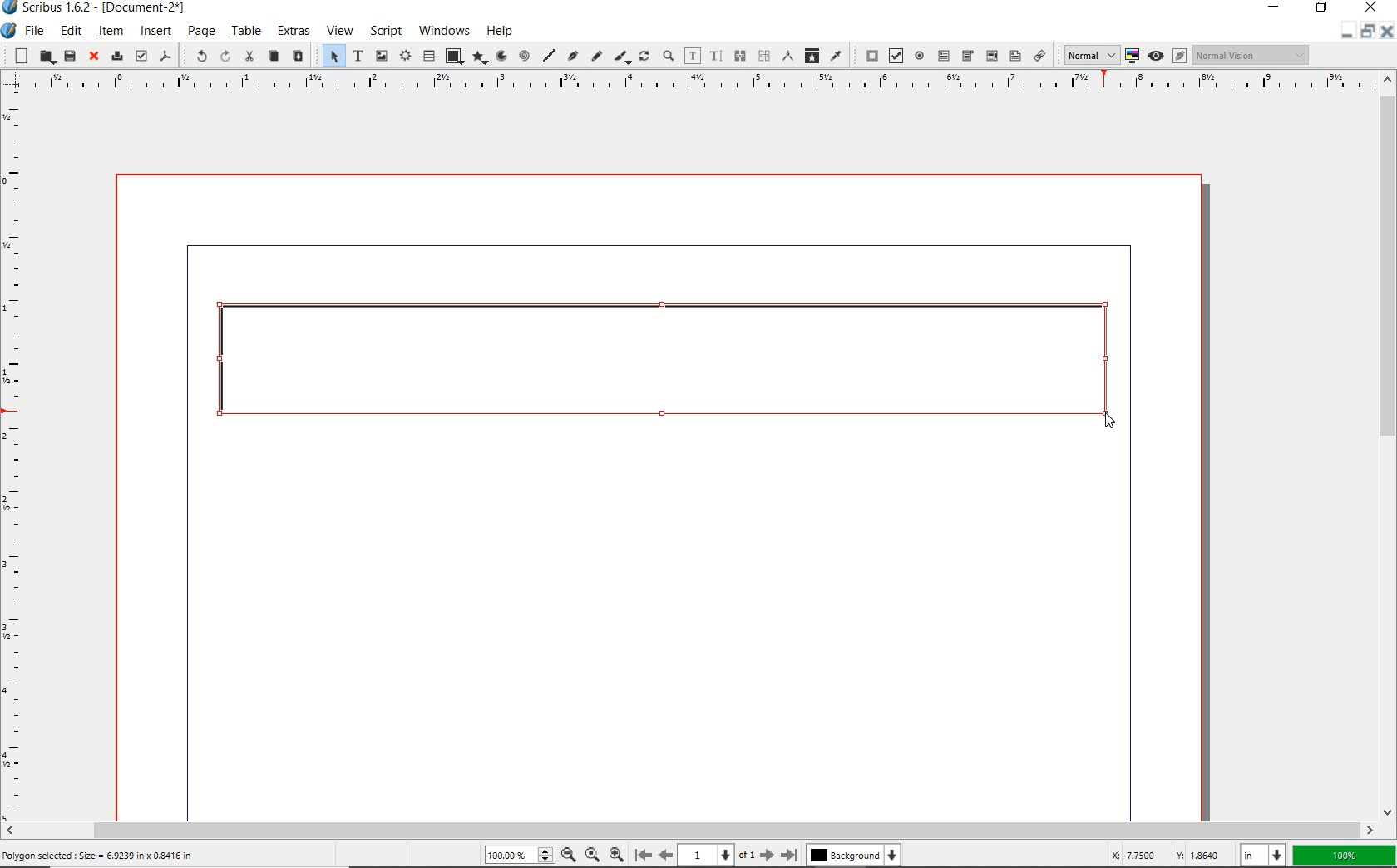  I want to click on zoom level, so click(524, 855).